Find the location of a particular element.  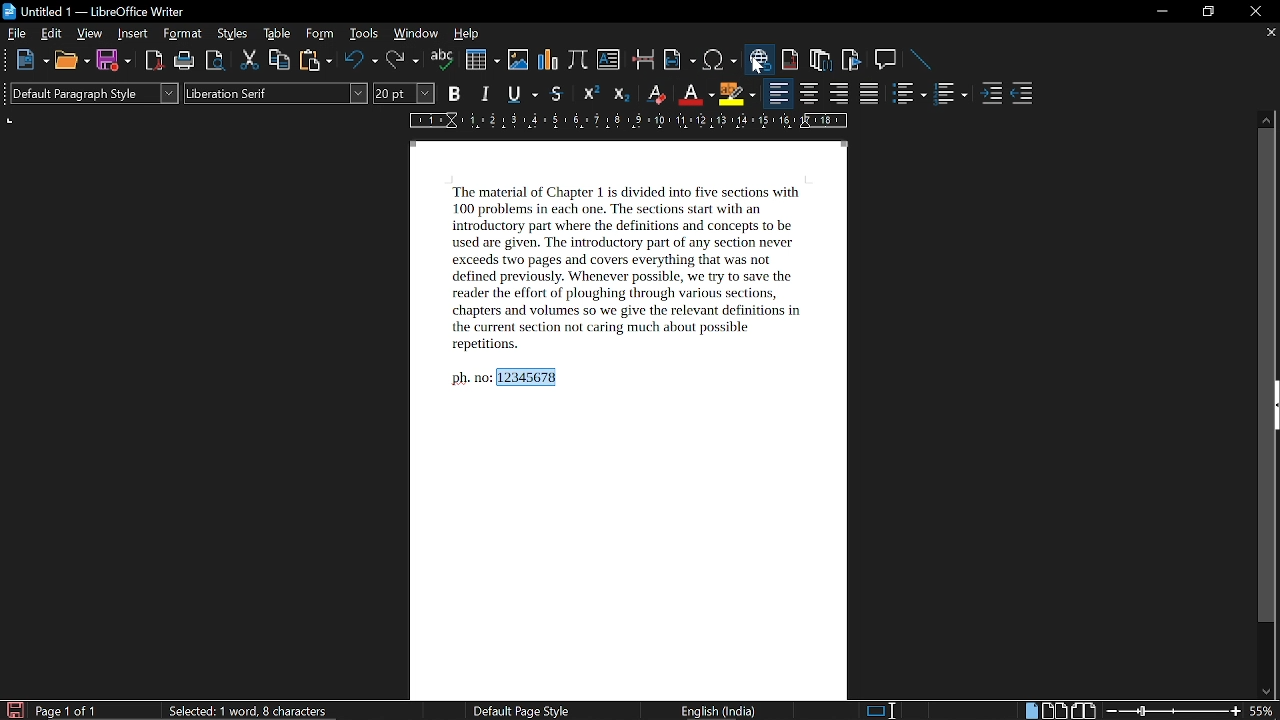

decrease indent is located at coordinates (1024, 96).